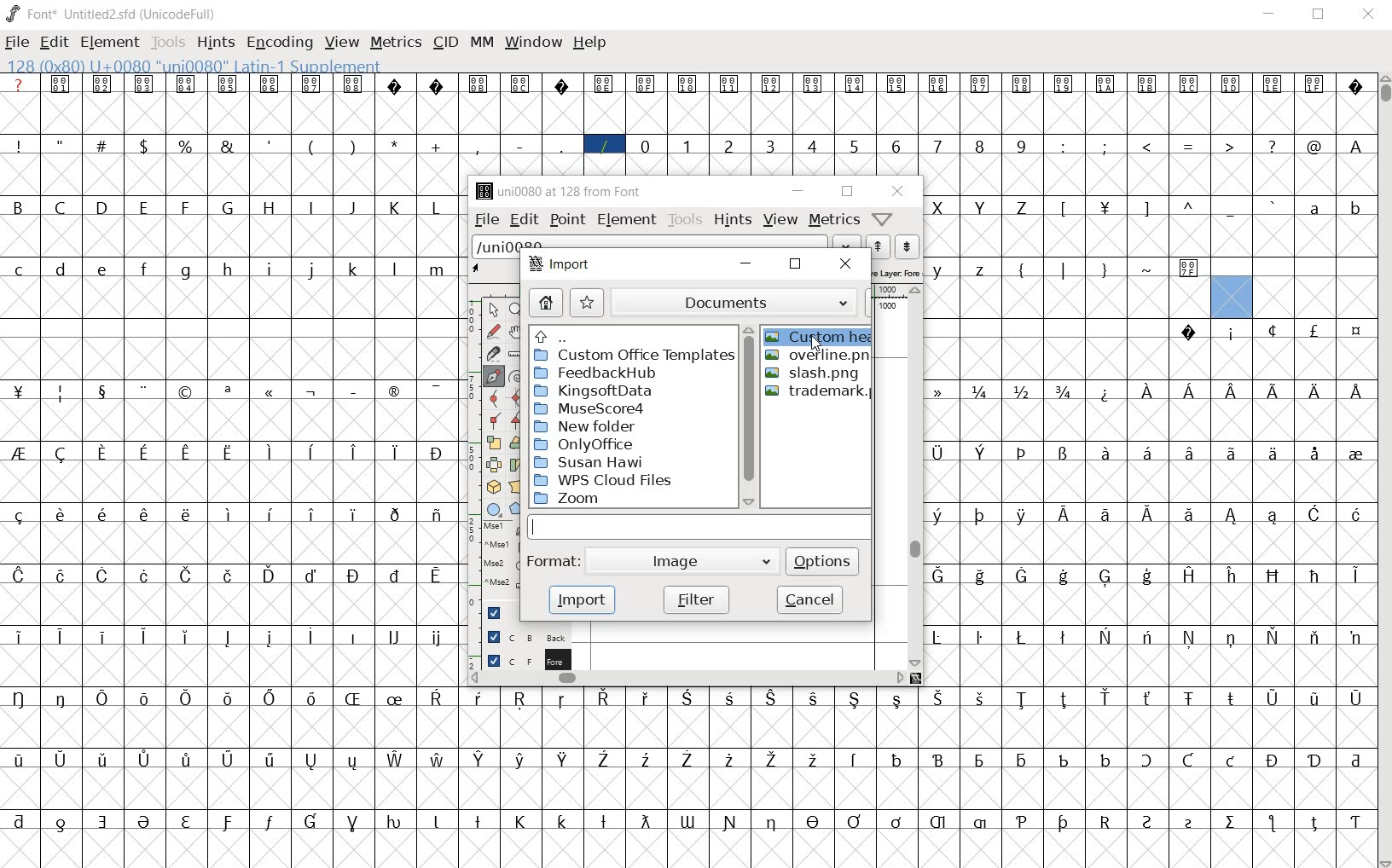 The width and height of the screenshot is (1392, 868). What do you see at coordinates (396, 699) in the screenshot?
I see `glyph` at bounding box center [396, 699].